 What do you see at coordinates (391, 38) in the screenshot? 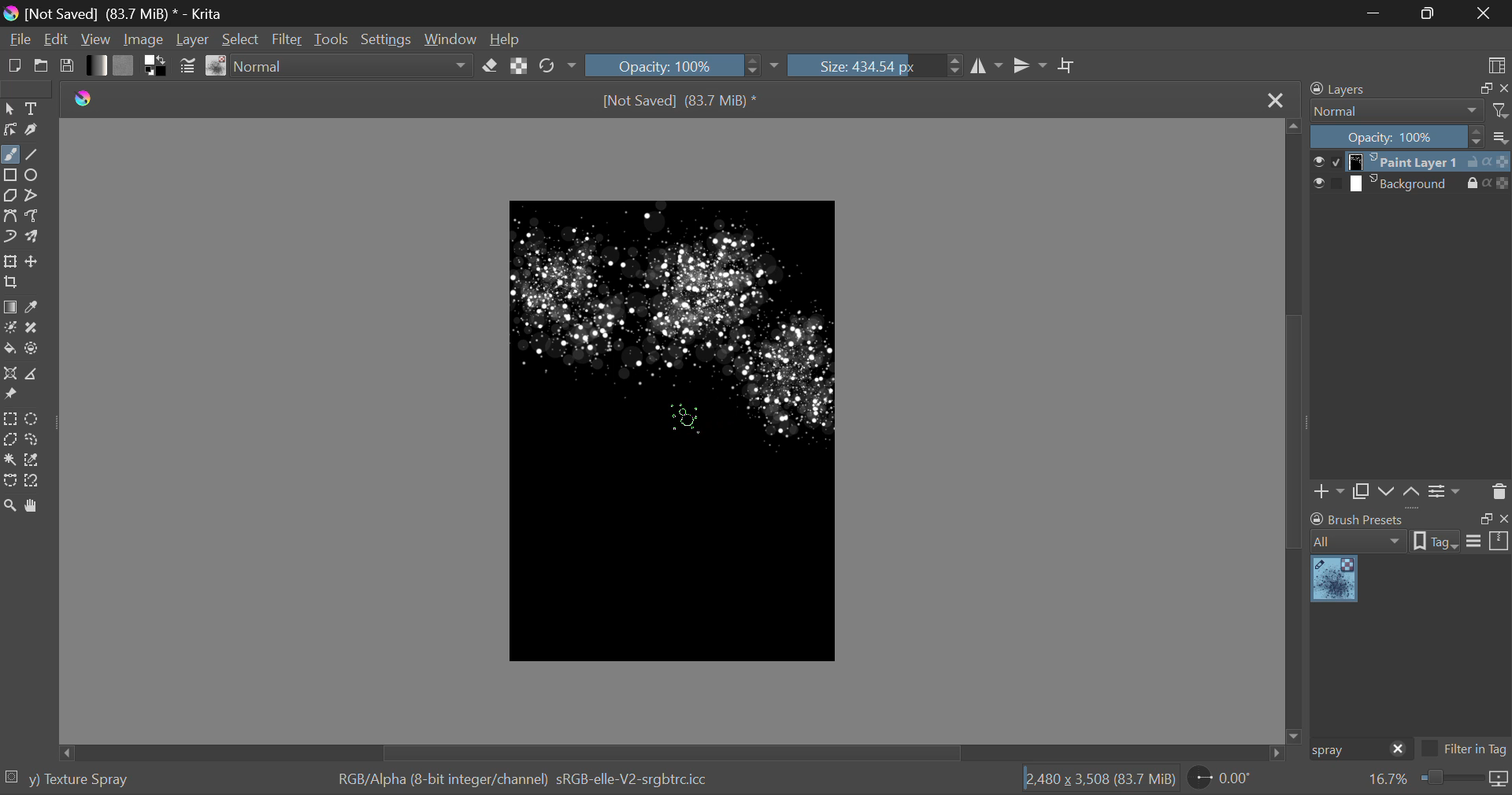
I see `Settings` at bounding box center [391, 38].